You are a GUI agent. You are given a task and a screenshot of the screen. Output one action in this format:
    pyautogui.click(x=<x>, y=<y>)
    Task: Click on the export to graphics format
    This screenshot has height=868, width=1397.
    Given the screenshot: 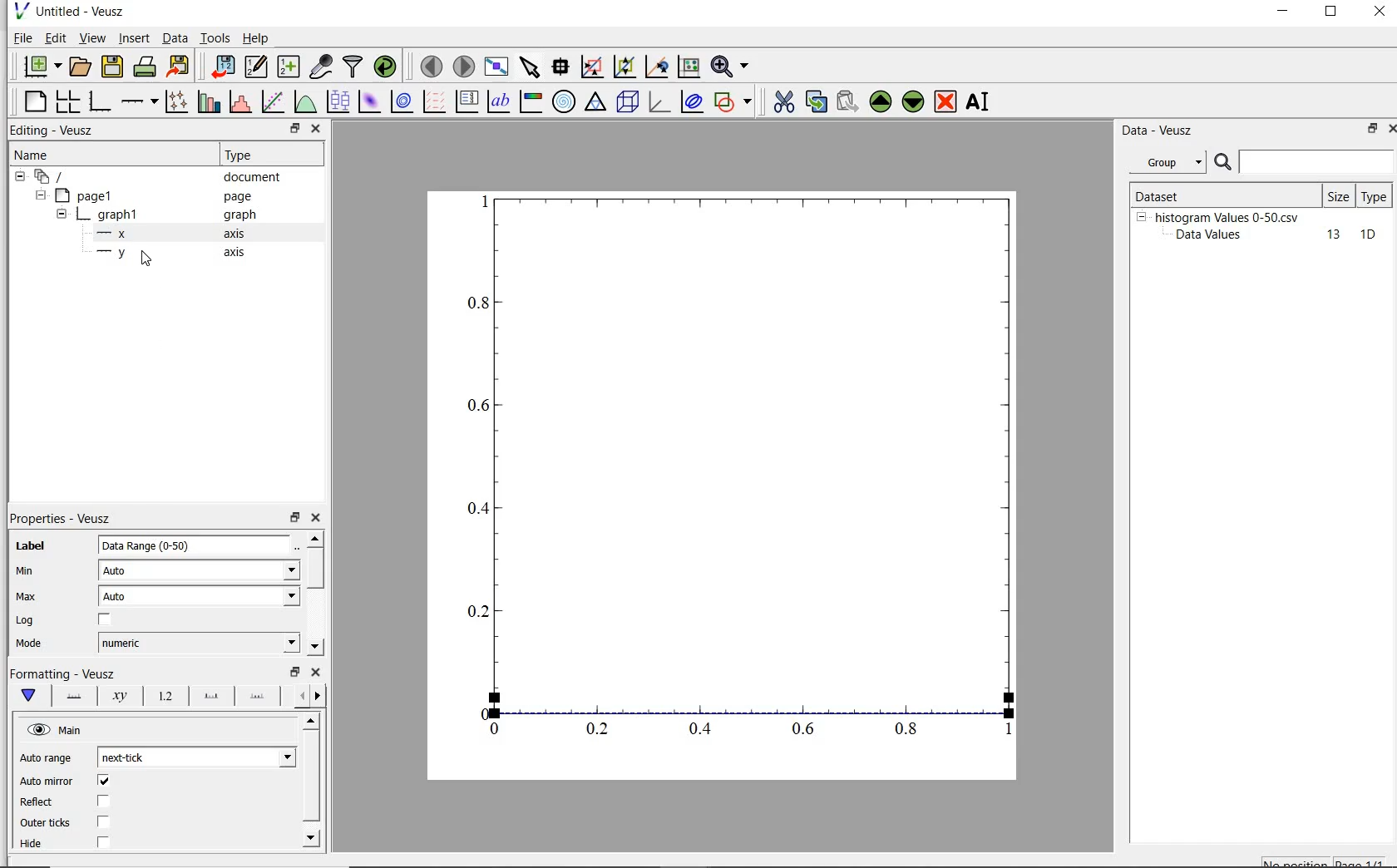 What is the action you would take?
    pyautogui.click(x=180, y=65)
    